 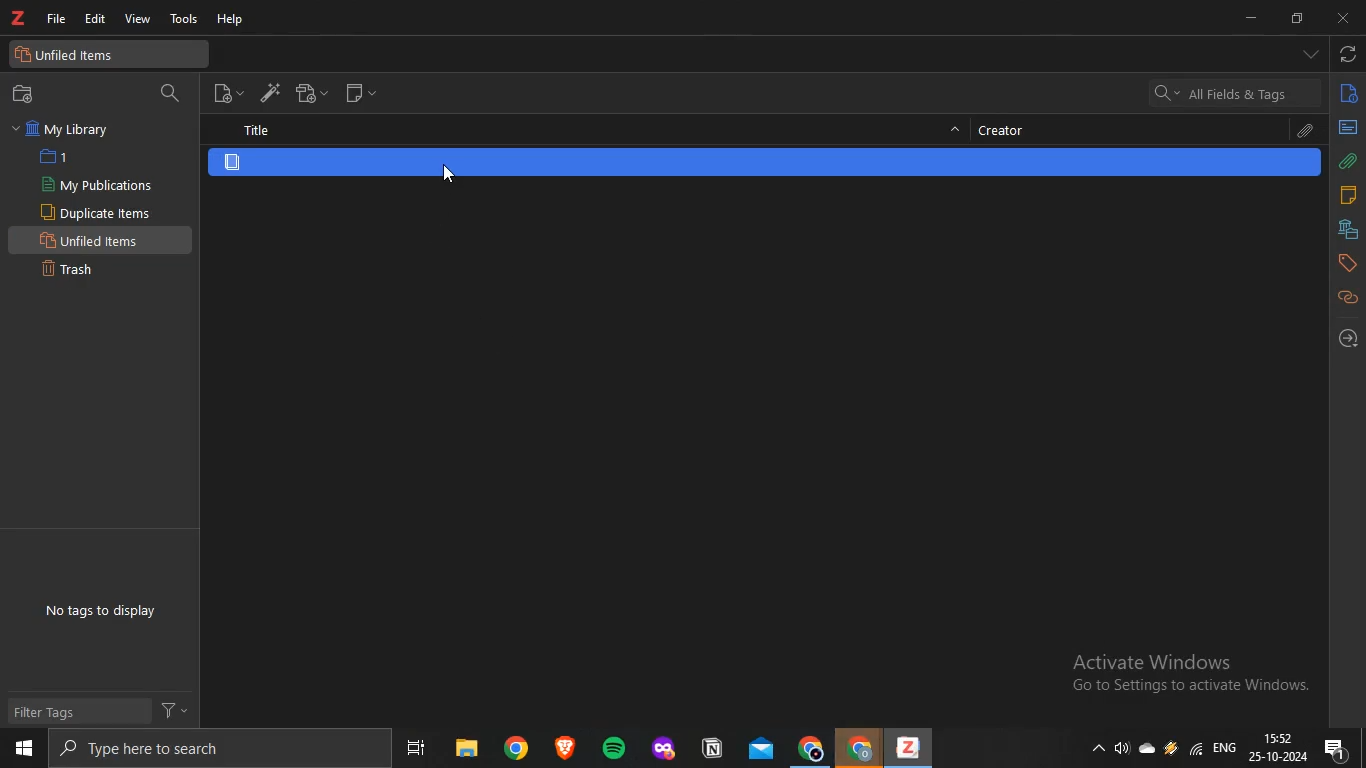 What do you see at coordinates (415, 748) in the screenshot?
I see `task view` at bounding box center [415, 748].